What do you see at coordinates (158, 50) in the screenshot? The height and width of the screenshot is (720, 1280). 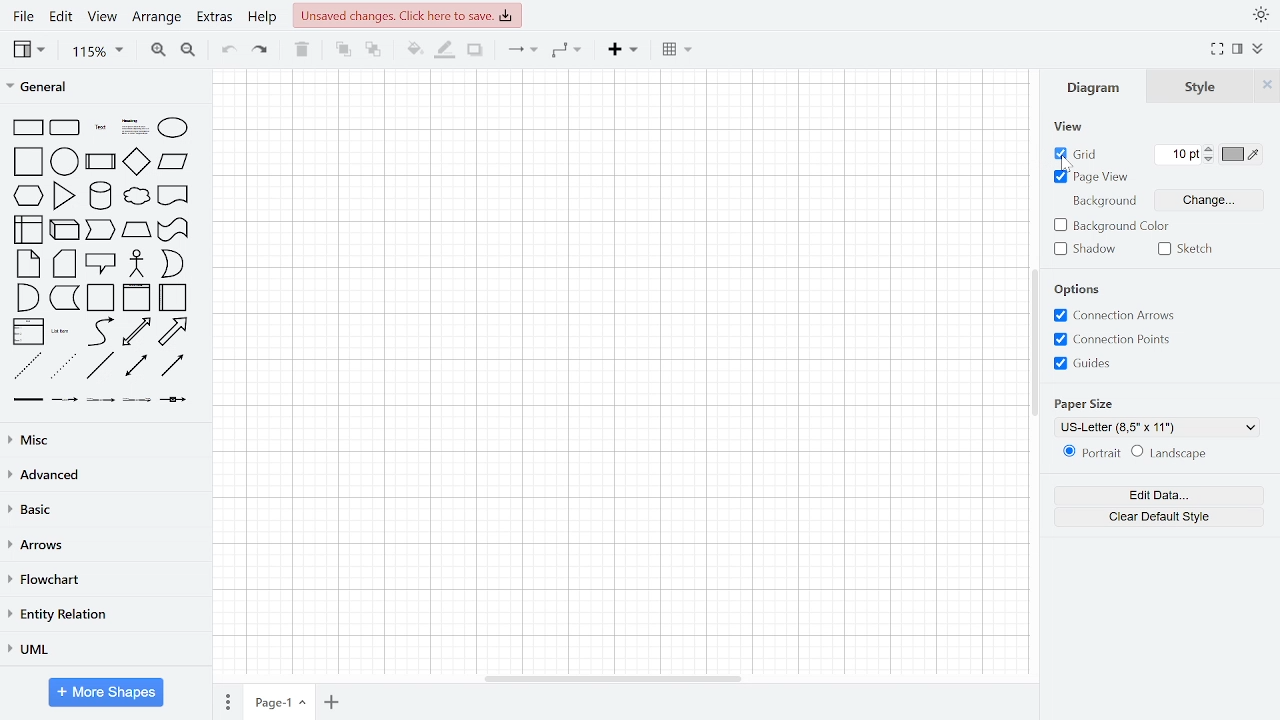 I see `zoom in` at bounding box center [158, 50].